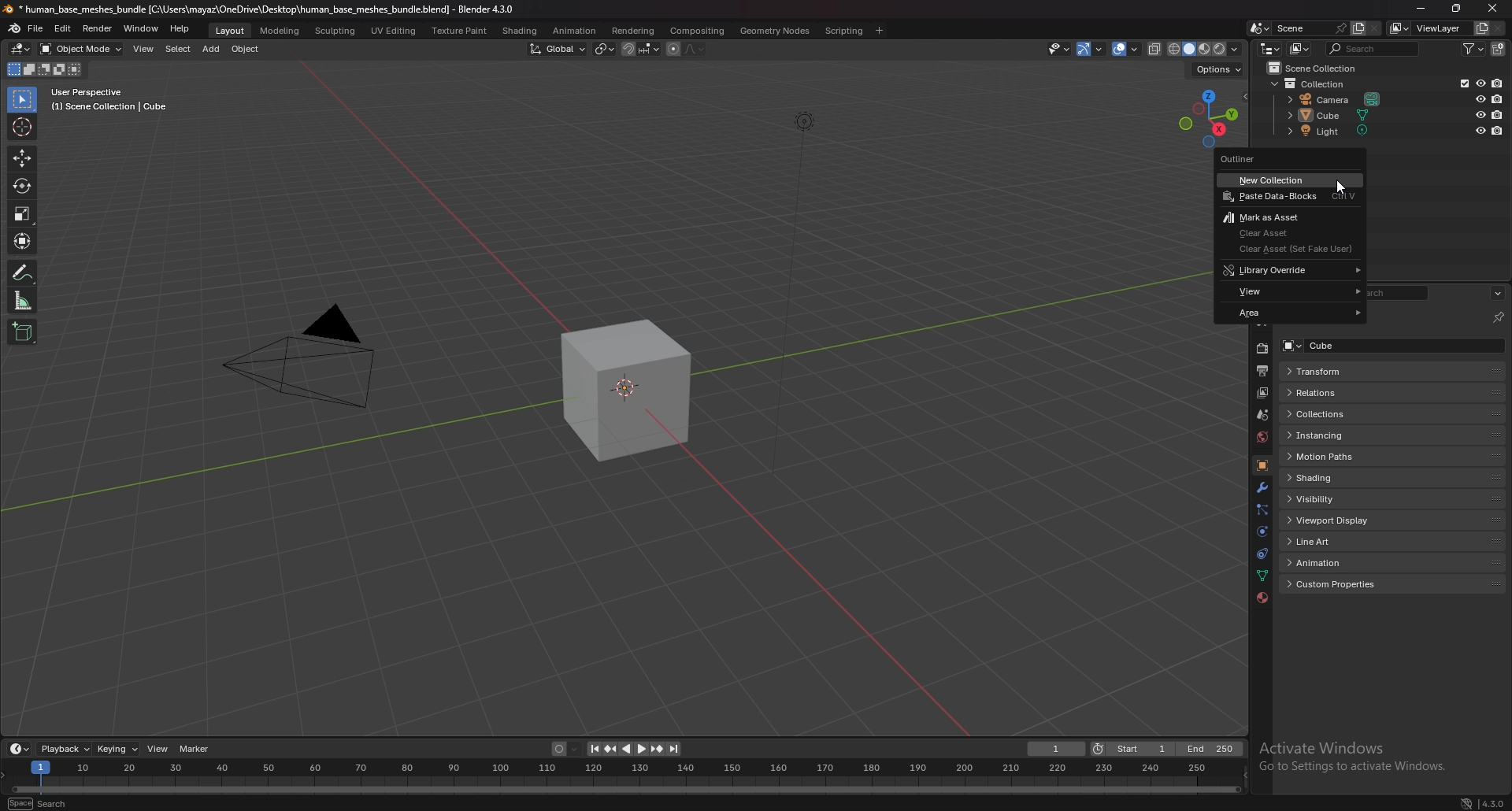 The width and height of the screenshot is (1512, 811). What do you see at coordinates (43, 802) in the screenshot?
I see `search` at bounding box center [43, 802].